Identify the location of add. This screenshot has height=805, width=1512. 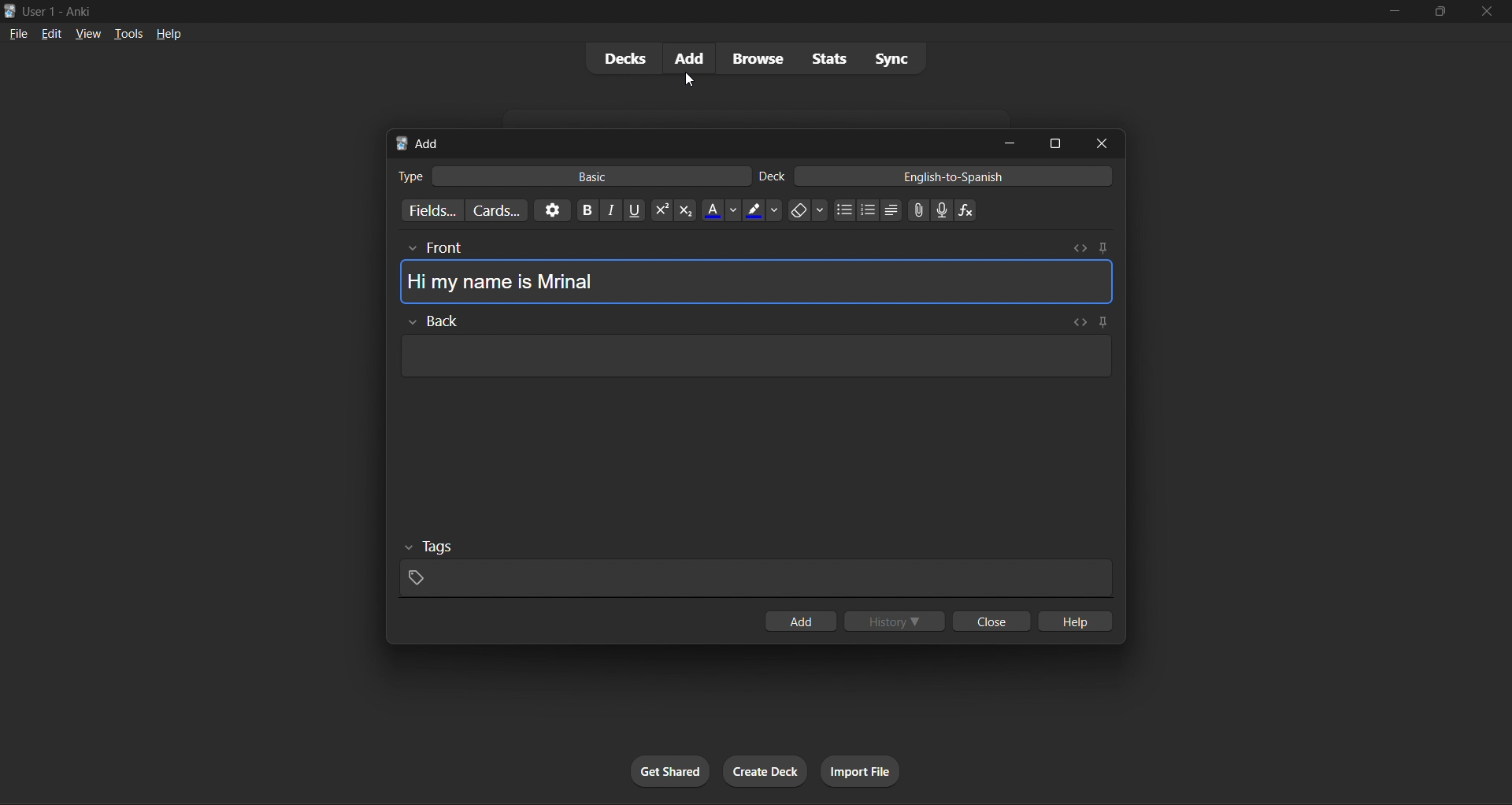
(802, 621).